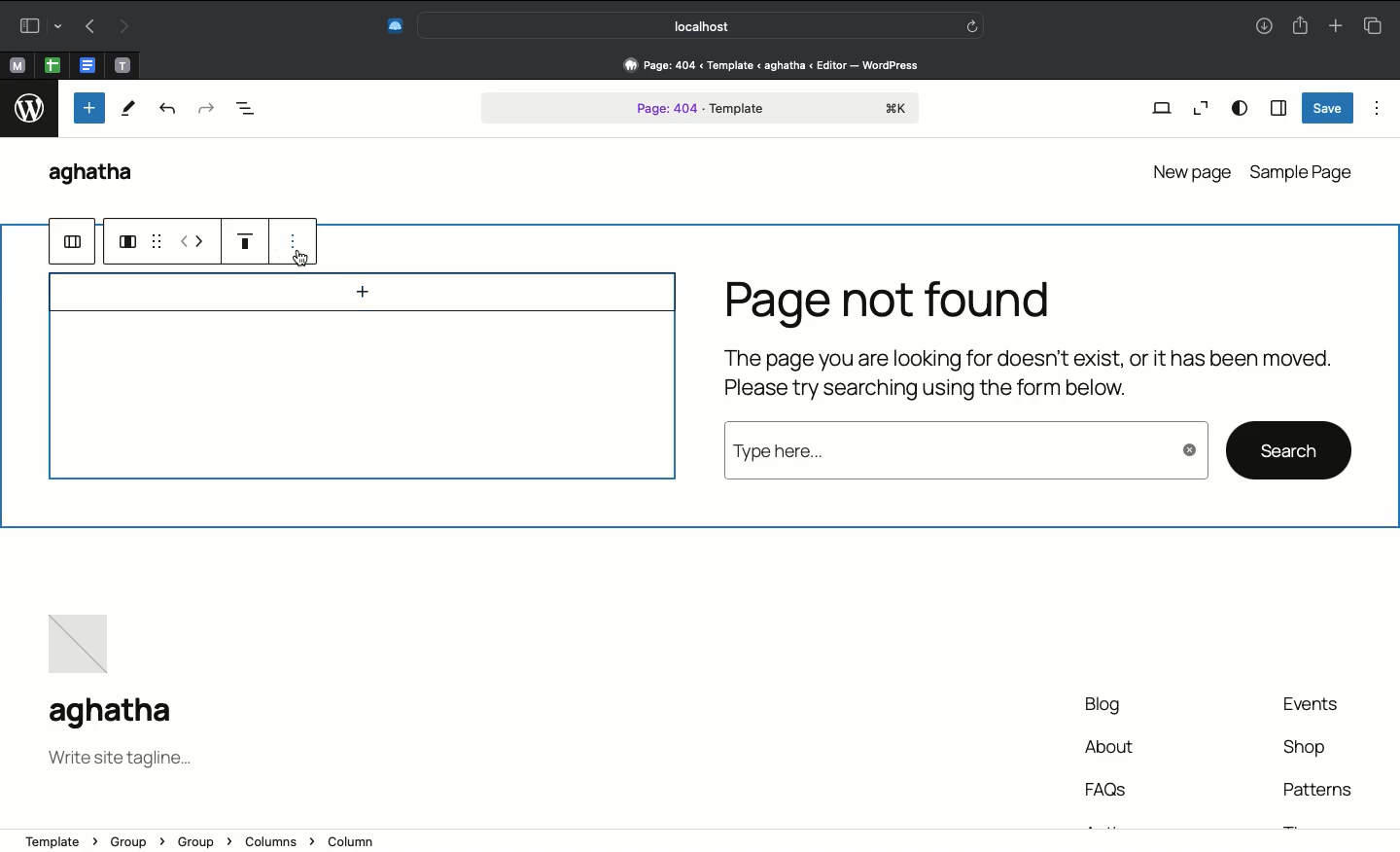 The height and width of the screenshot is (852, 1400). Describe the element at coordinates (703, 24) in the screenshot. I see `Search bar` at that location.